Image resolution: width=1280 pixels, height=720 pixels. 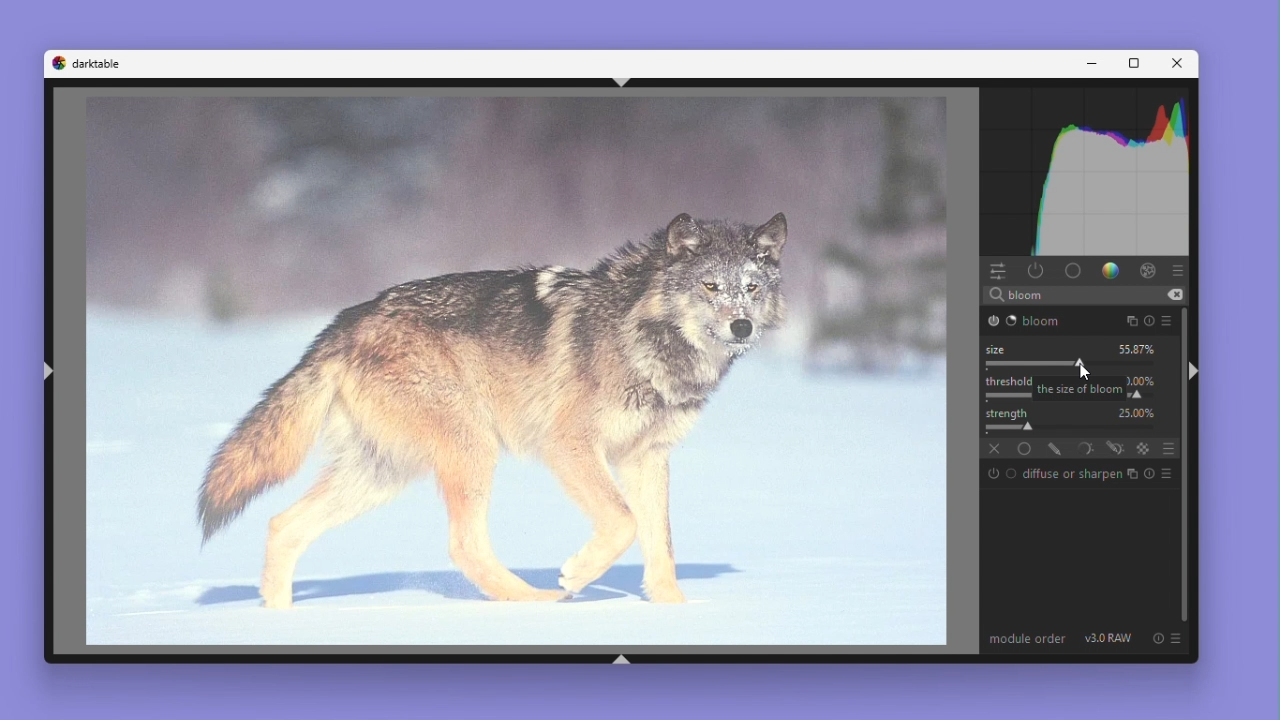 I want to click on drawn and parametric mask, so click(x=1117, y=448).